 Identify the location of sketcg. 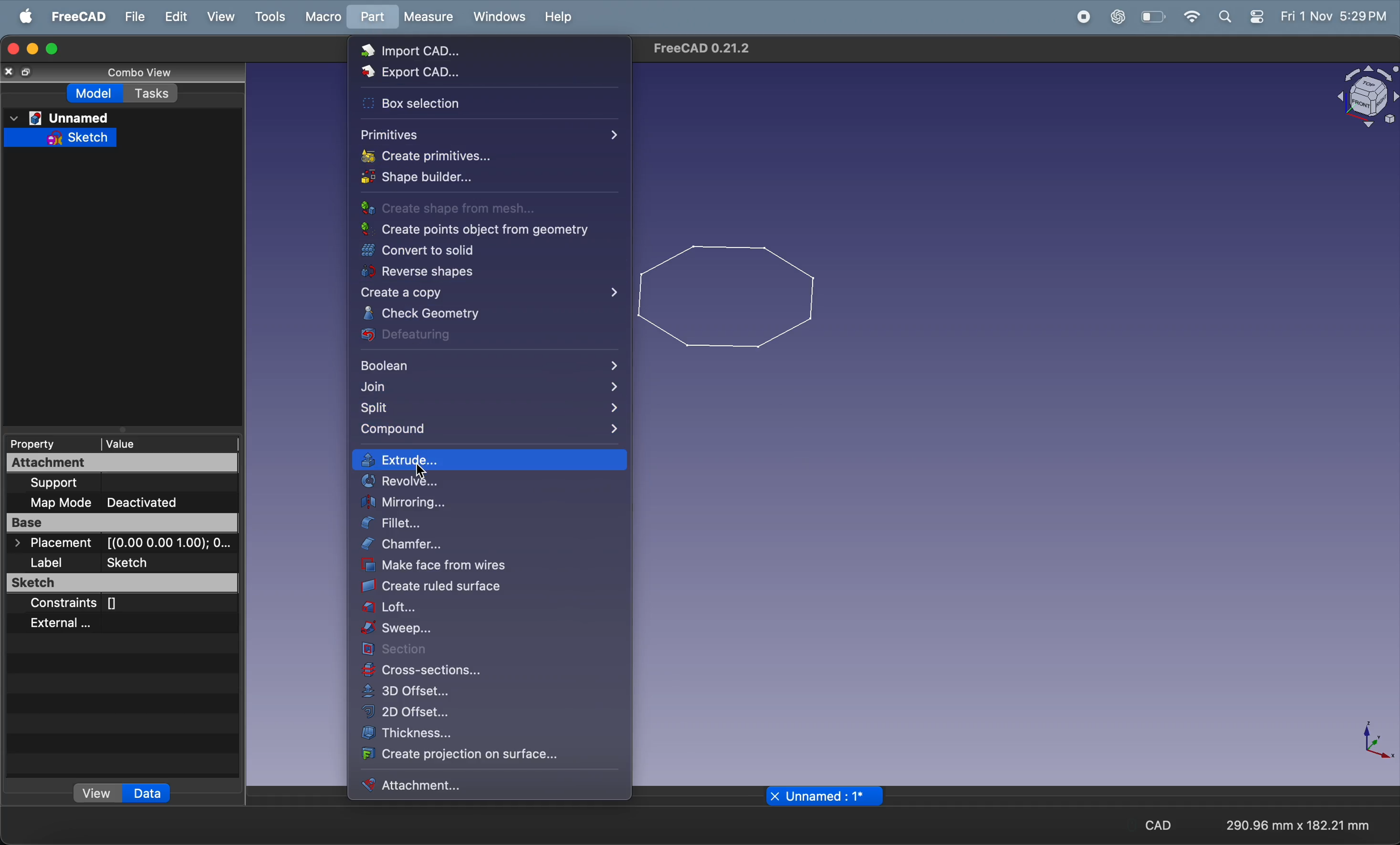
(118, 583).